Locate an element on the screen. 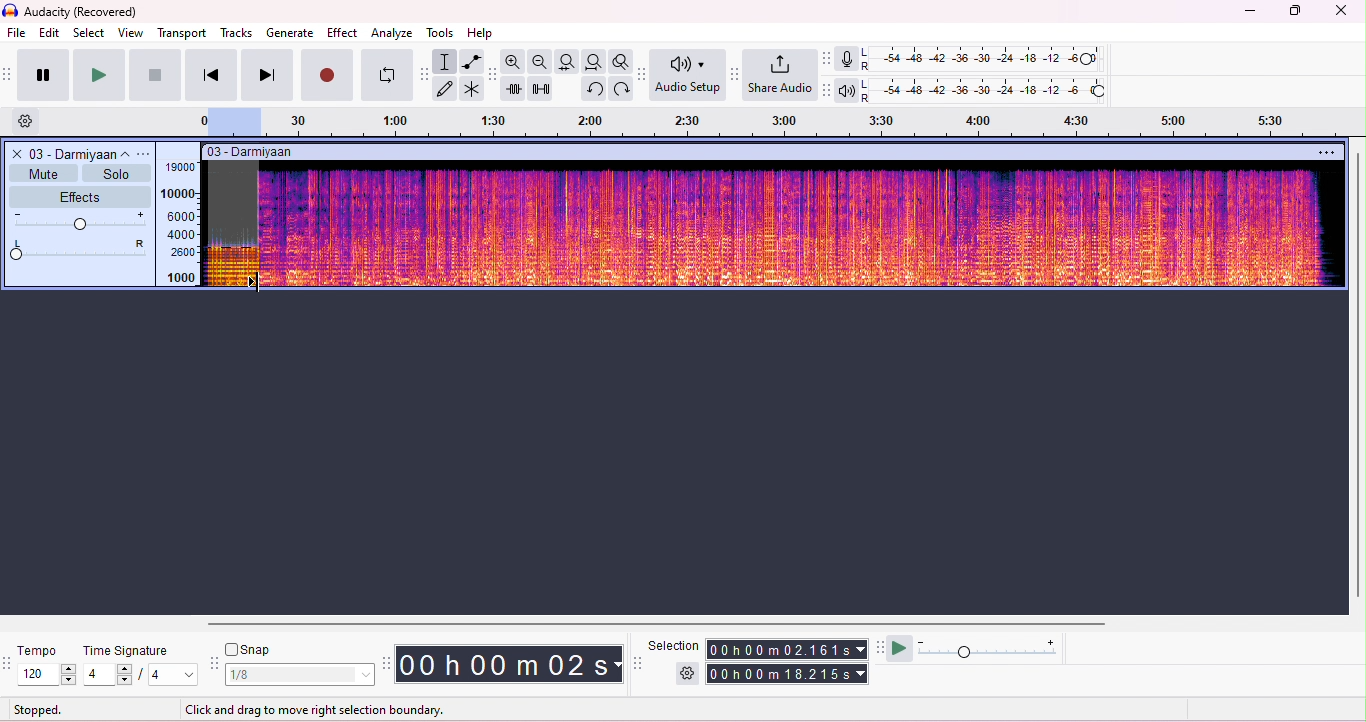 Image resolution: width=1366 pixels, height=722 pixels. select tempo is located at coordinates (47, 674).